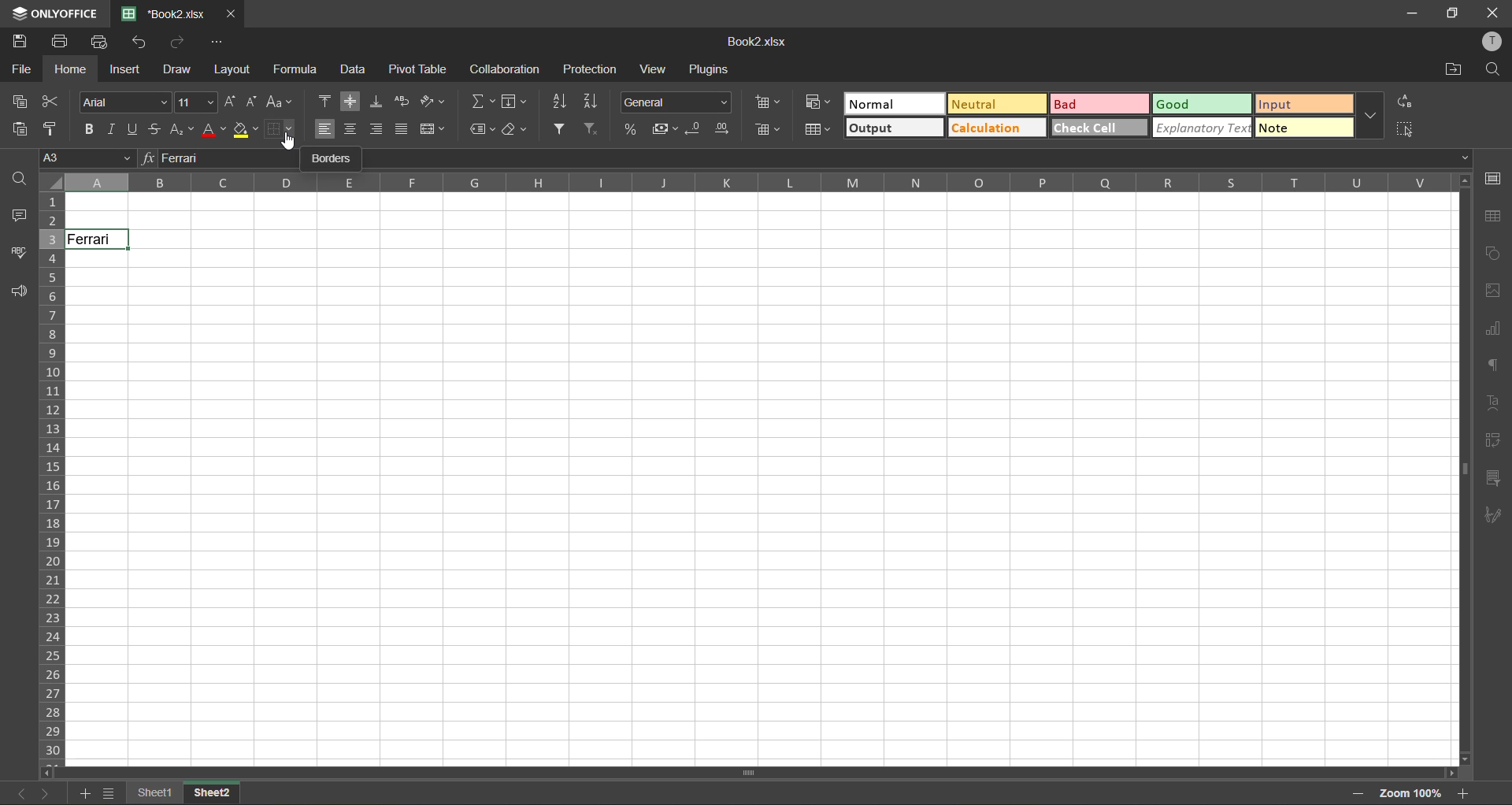  What do you see at coordinates (593, 101) in the screenshot?
I see `sort descending` at bounding box center [593, 101].